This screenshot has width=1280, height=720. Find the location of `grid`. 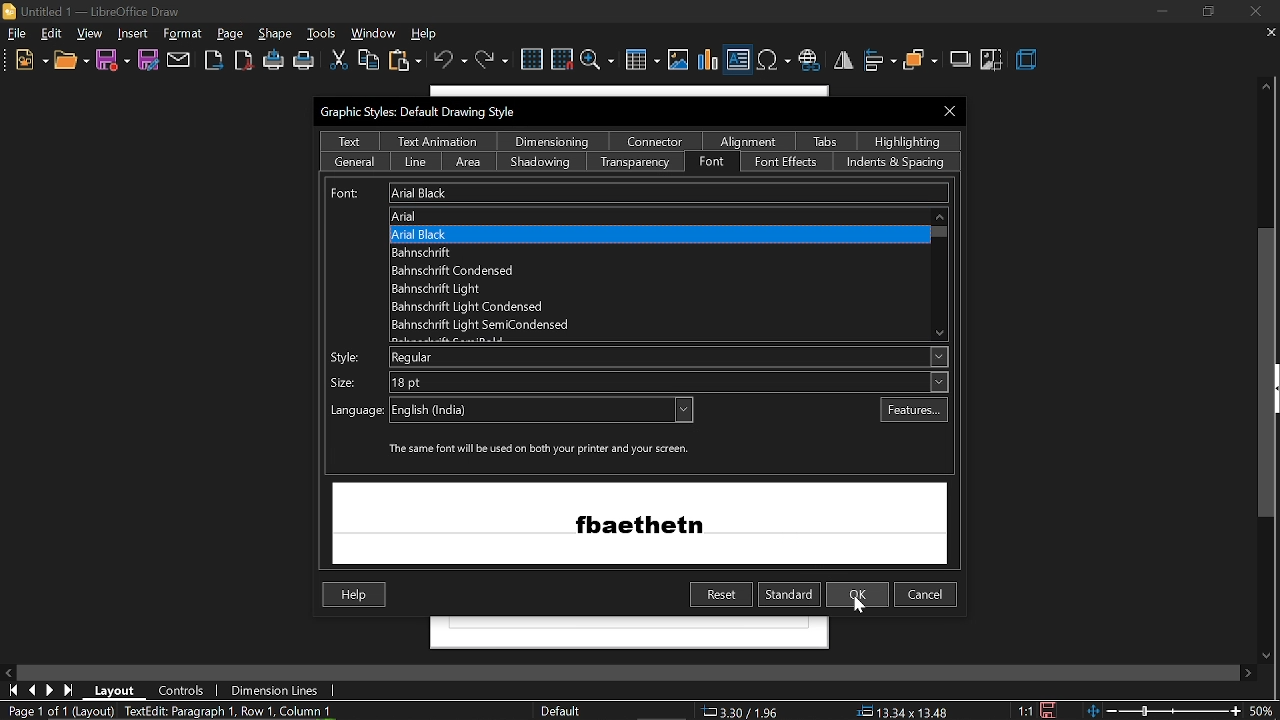

grid is located at coordinates (531, 60).